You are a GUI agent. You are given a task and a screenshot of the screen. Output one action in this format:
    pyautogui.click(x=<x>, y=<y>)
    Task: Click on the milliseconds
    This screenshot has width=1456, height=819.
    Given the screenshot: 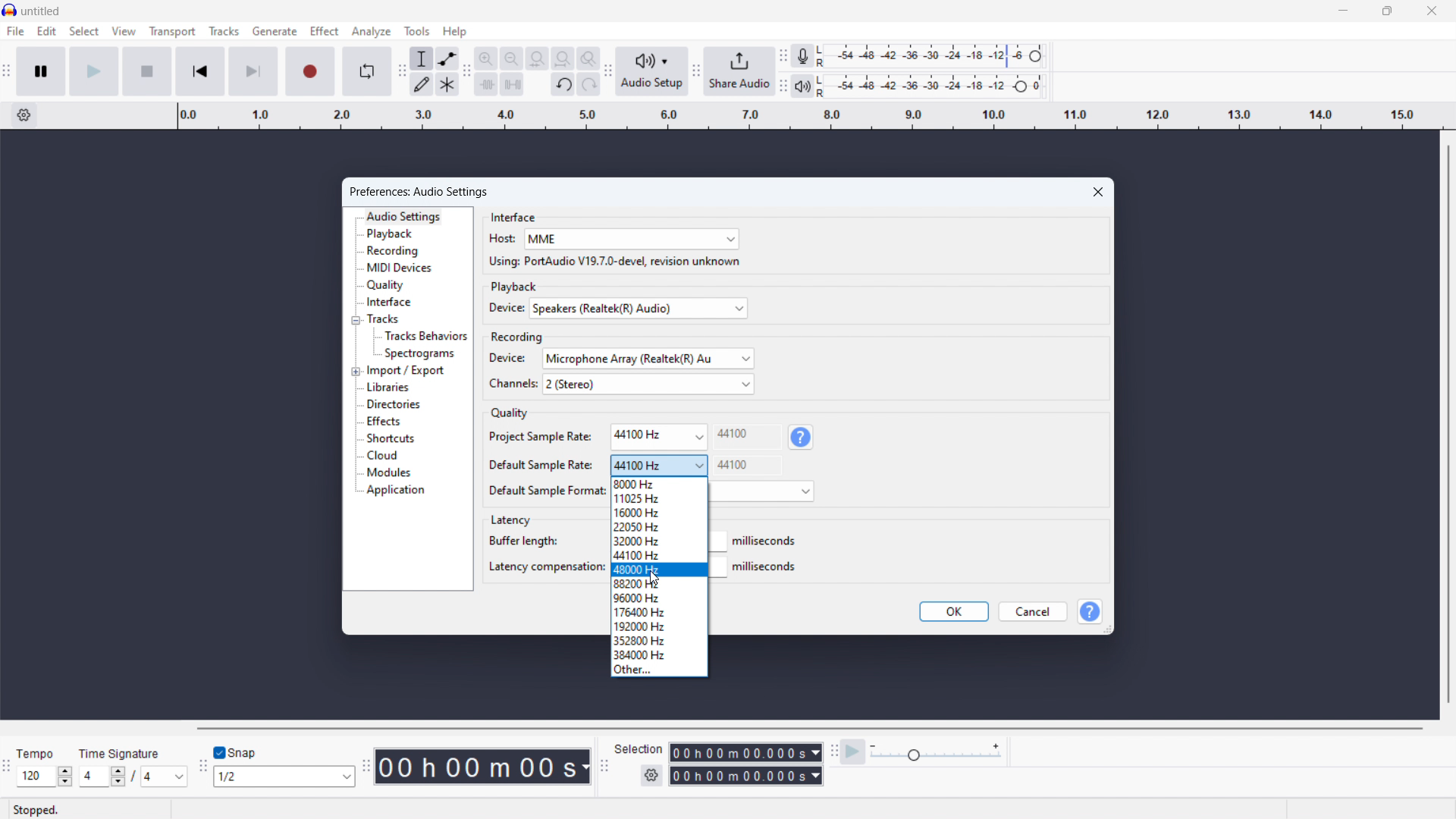 What is the action you would take?
    pyautogui.click(x=767, y=566)
    